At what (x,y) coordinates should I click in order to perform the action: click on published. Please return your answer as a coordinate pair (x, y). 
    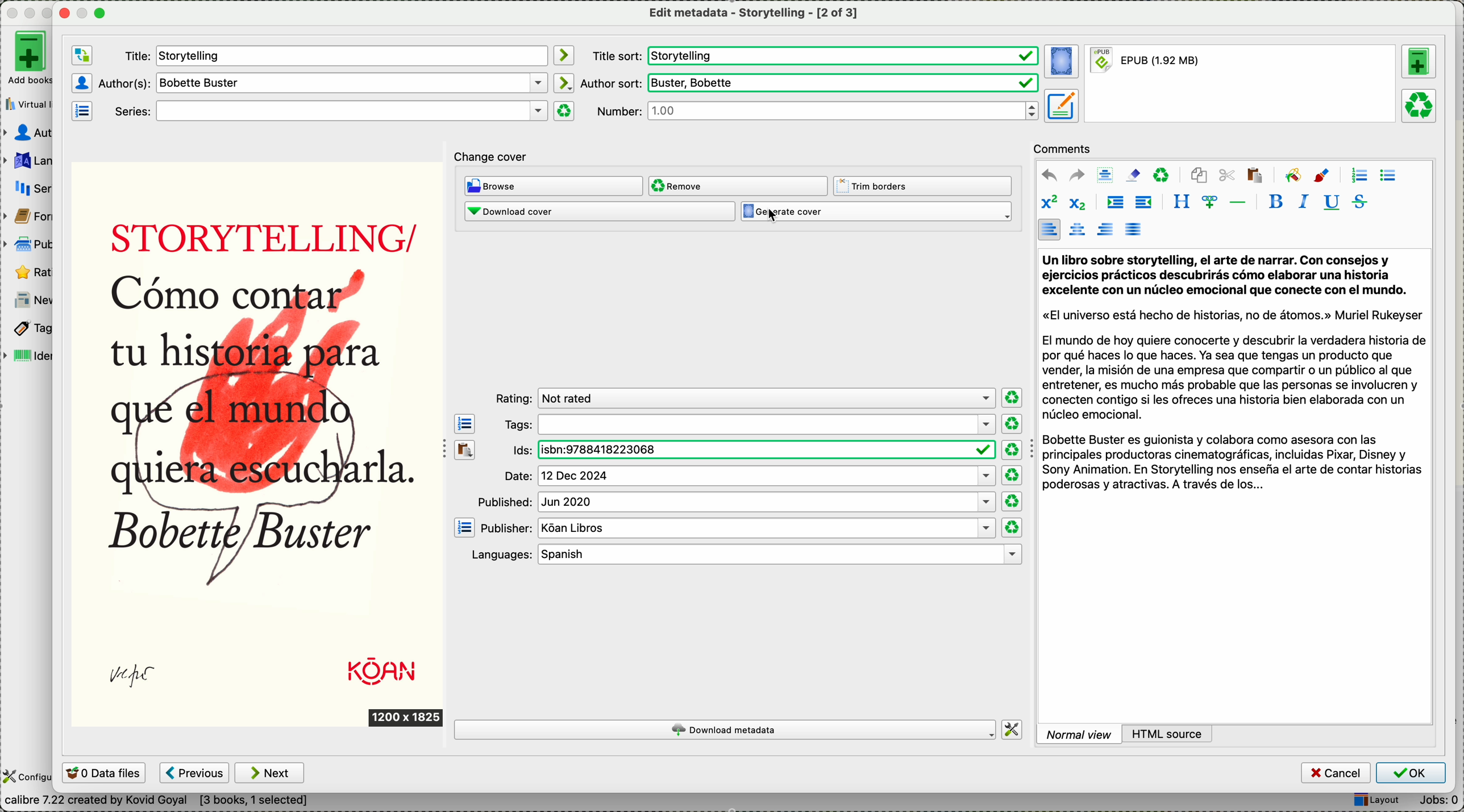
    Looking at the image, I should click on (738, 503).